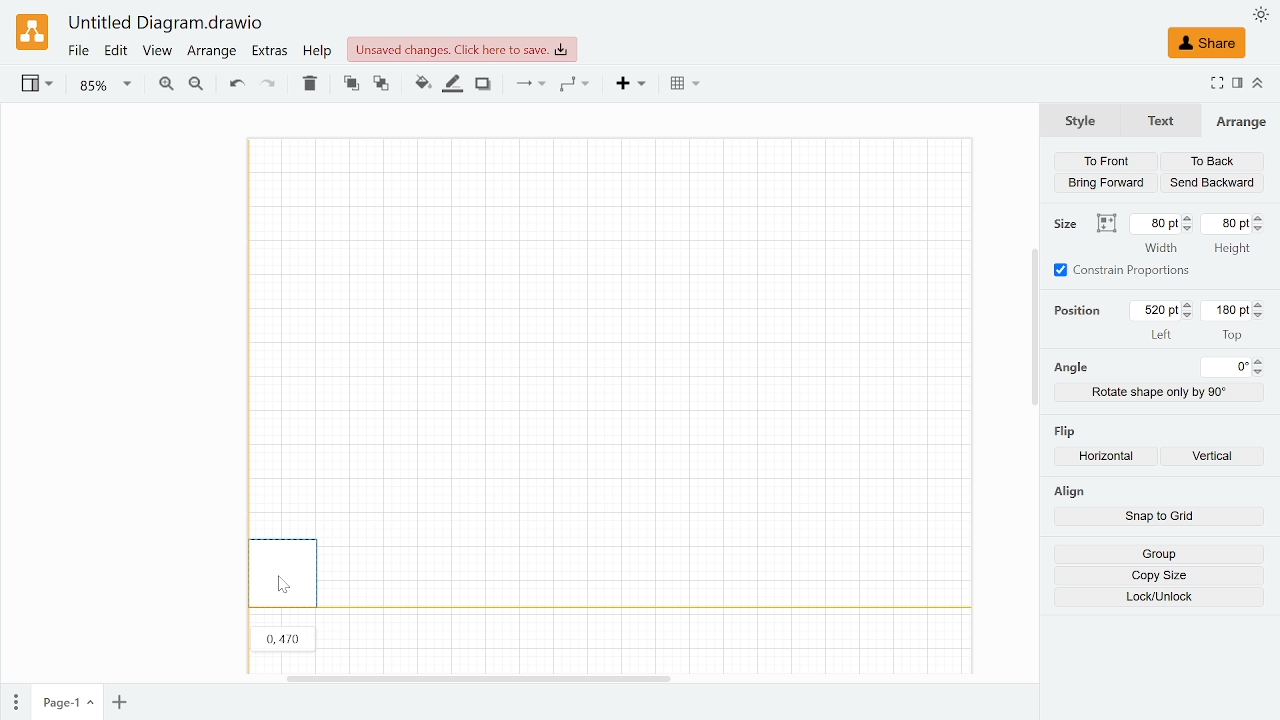 The width and height of the screenshot is (1280, 720). What do you see at coordinates (286, 586) in the screenshot?
I see `Pointer` at bounding box center [286, 586].